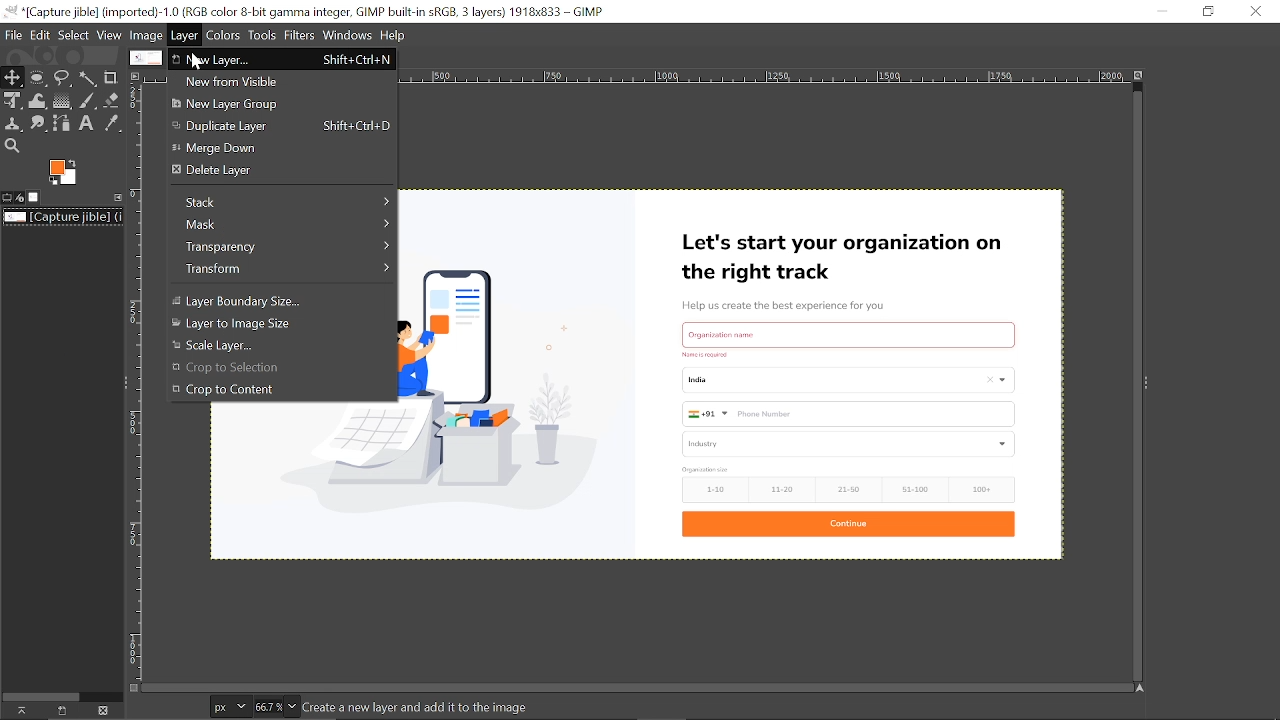  Describe the element at coordinates (280, 148) in the screenshot. I see `Merge down` at that location.